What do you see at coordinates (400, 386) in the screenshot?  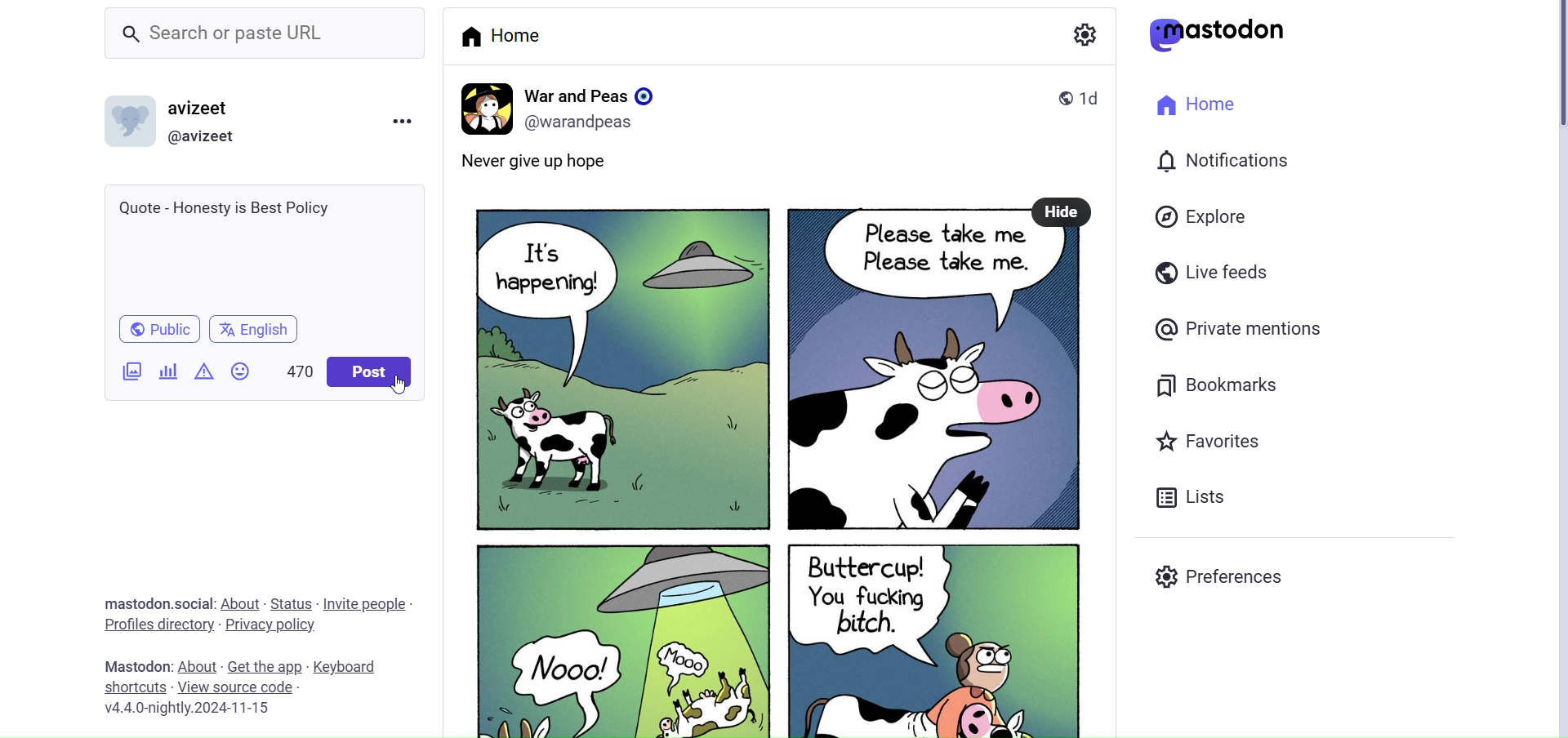 I see `Cursor` at bounding box center [400, 386].